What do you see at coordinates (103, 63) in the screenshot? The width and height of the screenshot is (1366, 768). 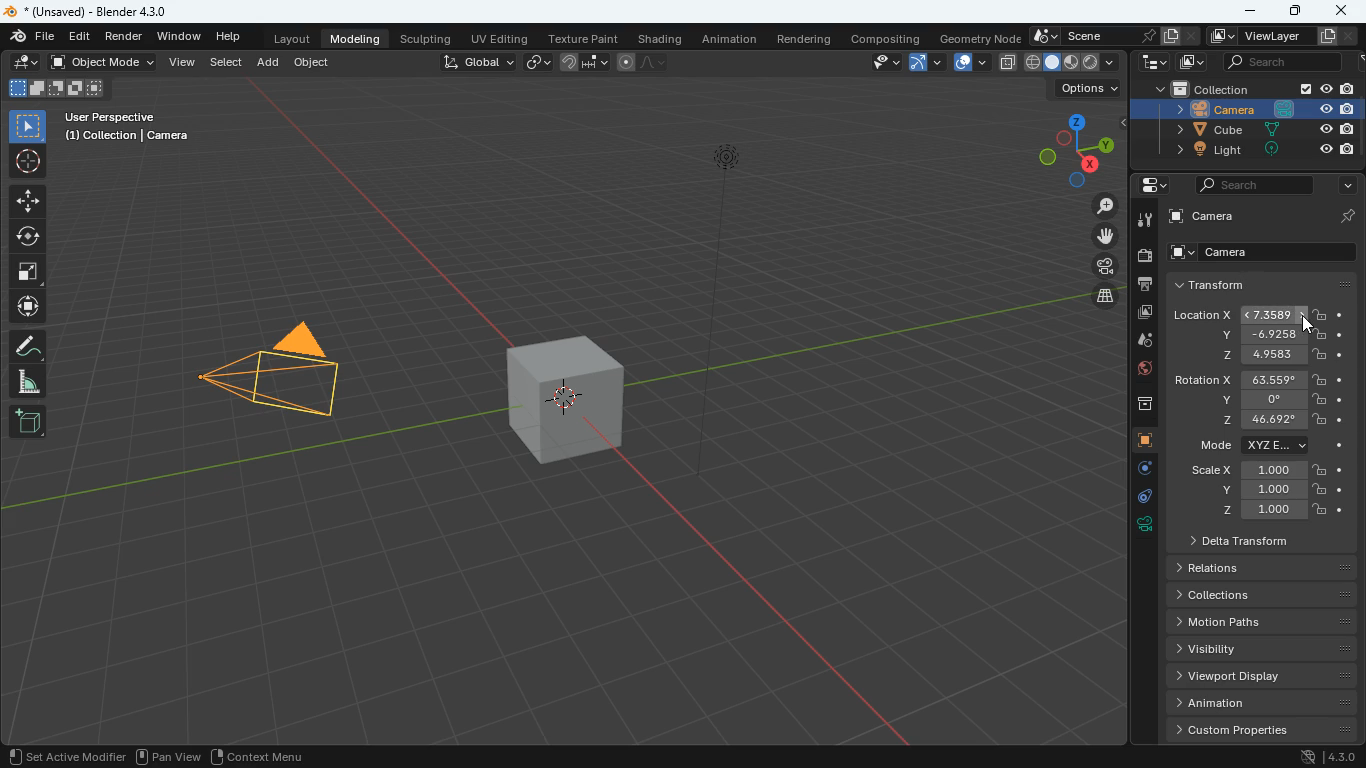 I see `object mode` at bounding box center [103, 63].